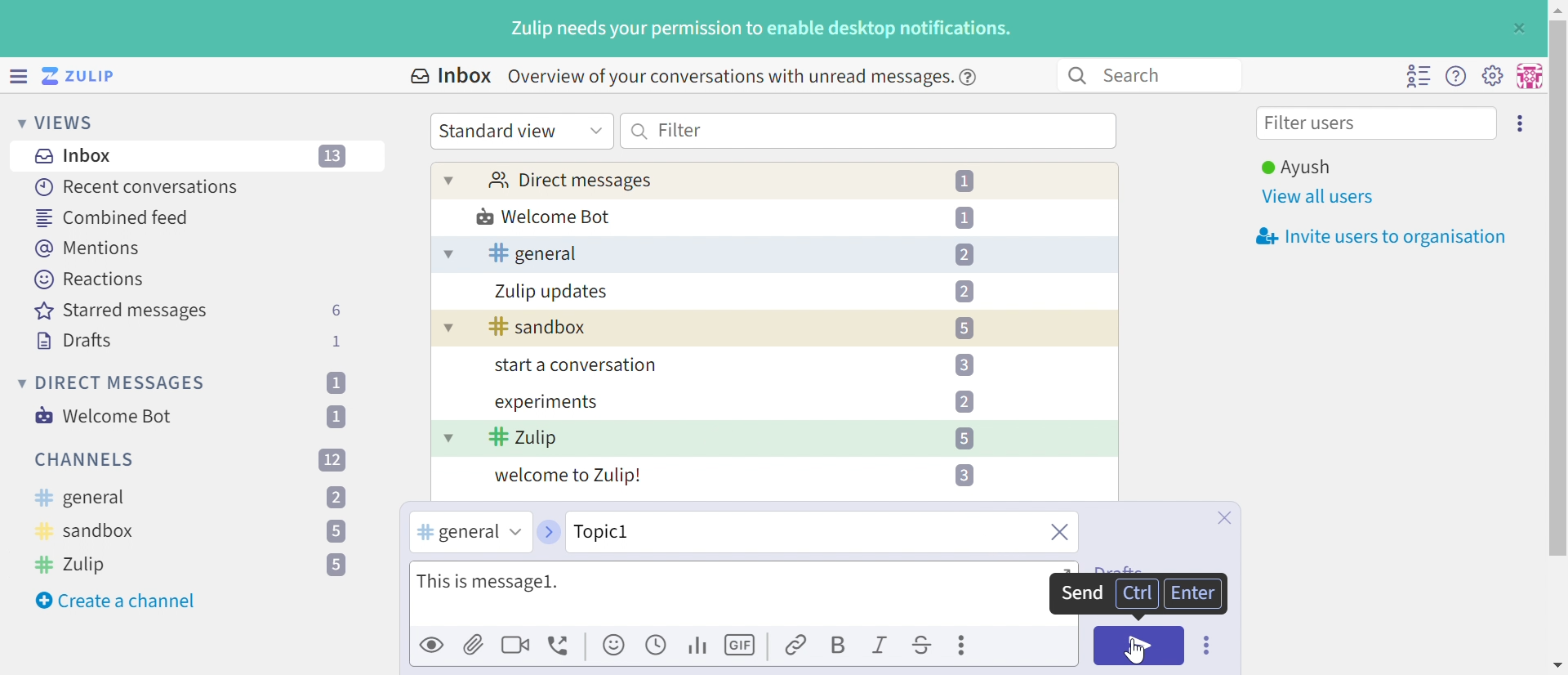 The image size is (1568, 675). Describe the element at coordinates (640, 131) in the screenshot. I see `Search` at that location.